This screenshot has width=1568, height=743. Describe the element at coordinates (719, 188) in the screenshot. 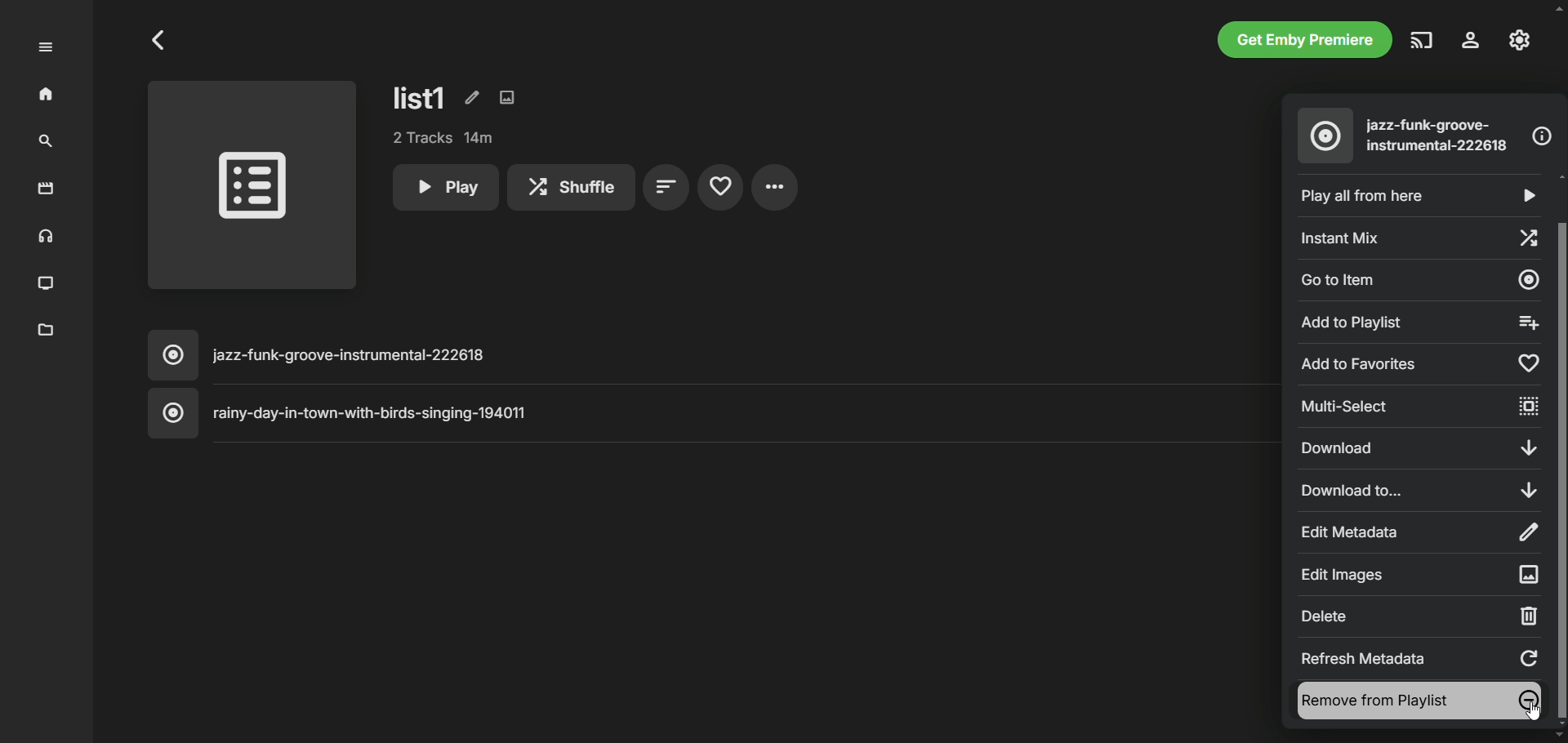

I see `favorites` at that location.